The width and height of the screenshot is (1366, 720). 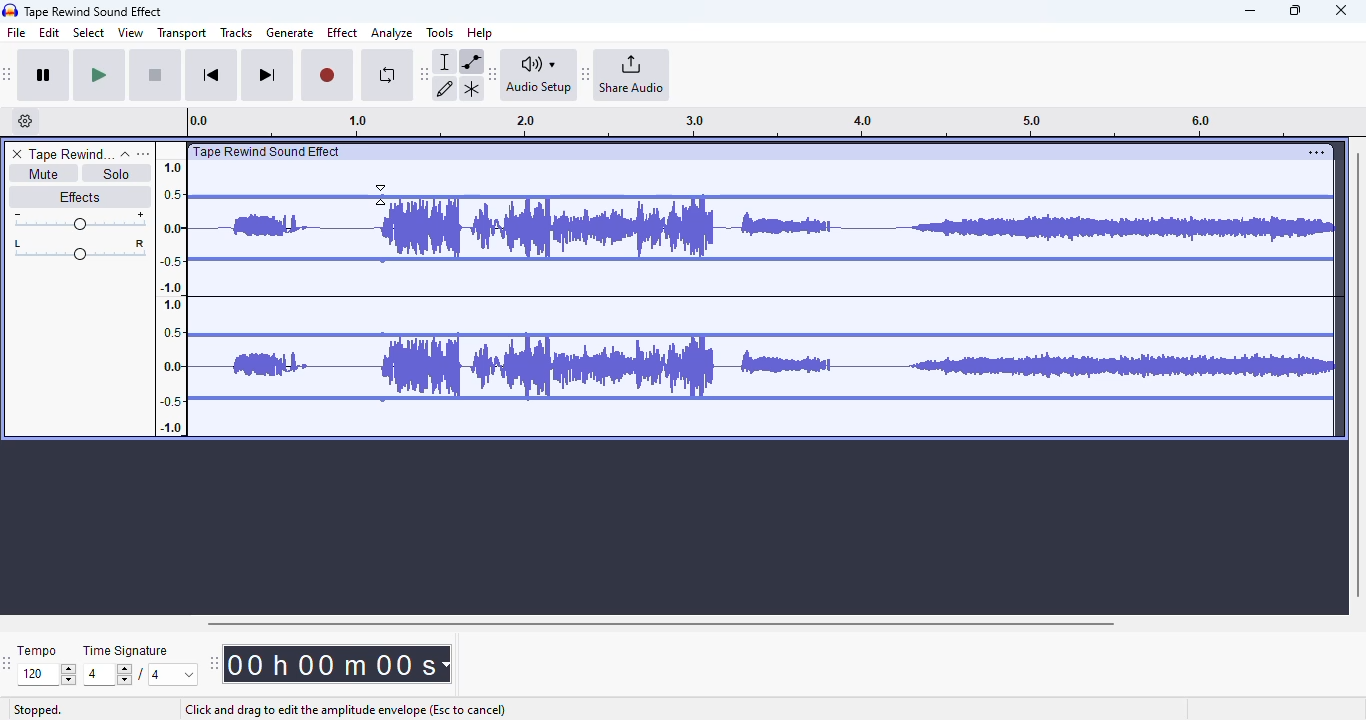 I want to click on tracks, so click(x=236, y=34).